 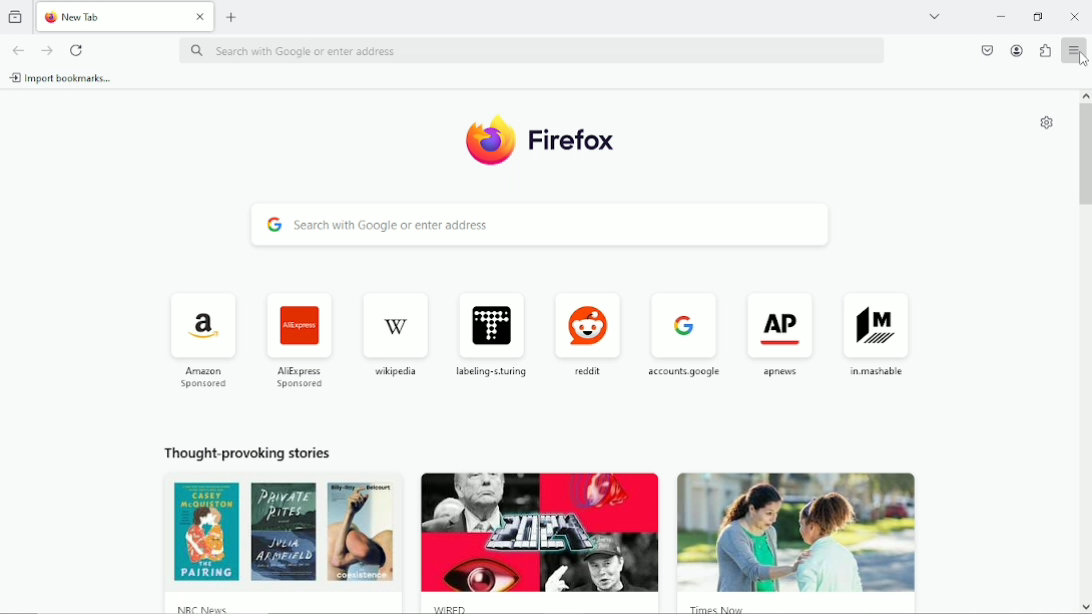 I want to click on Reload current page, so click(x=78, y=49).